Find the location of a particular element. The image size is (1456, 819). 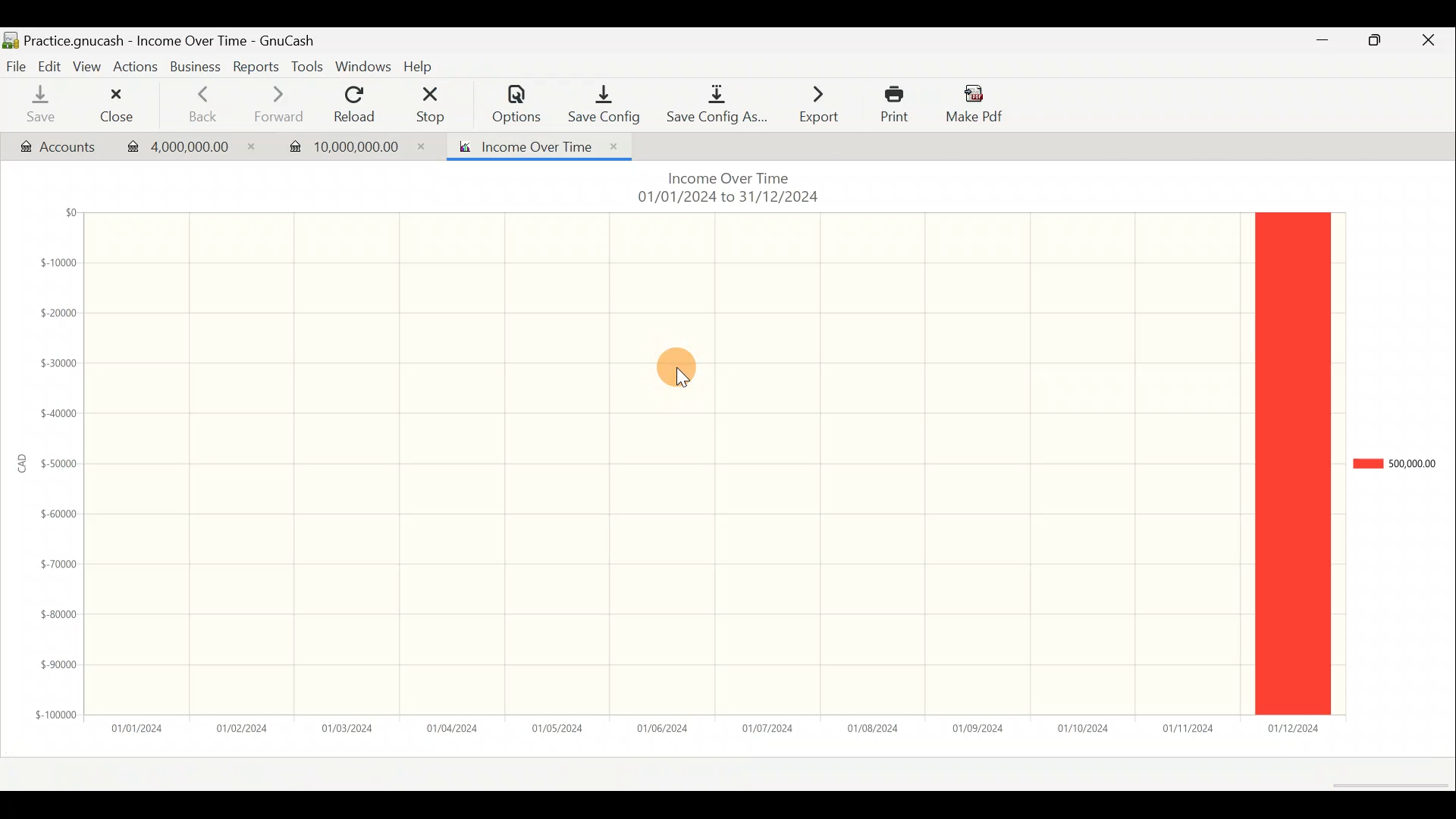

Save Config As... is located at coordinates (719, 103).